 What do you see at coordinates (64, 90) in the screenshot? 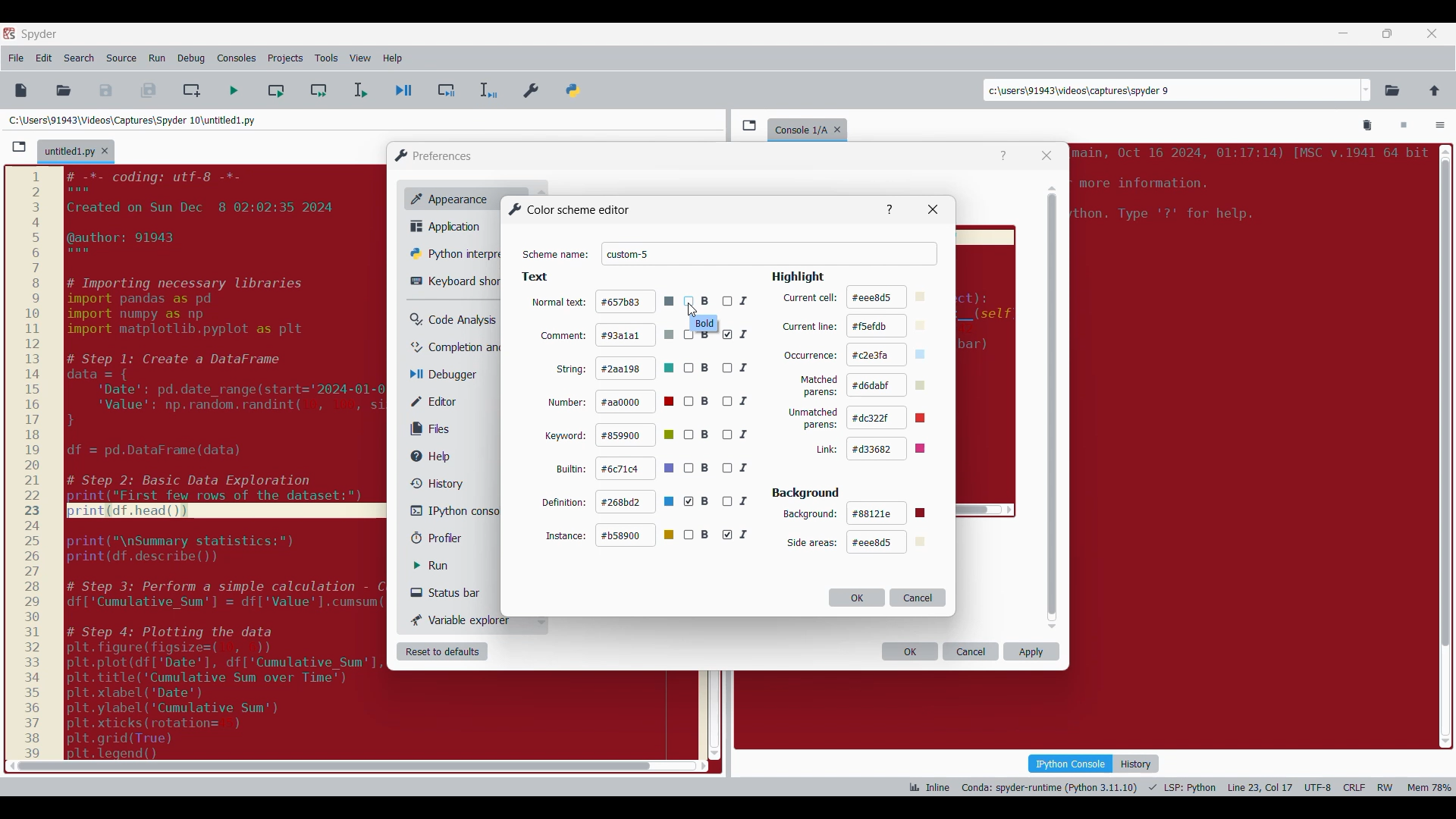
I see `Open` at bounding box center [64, 90].